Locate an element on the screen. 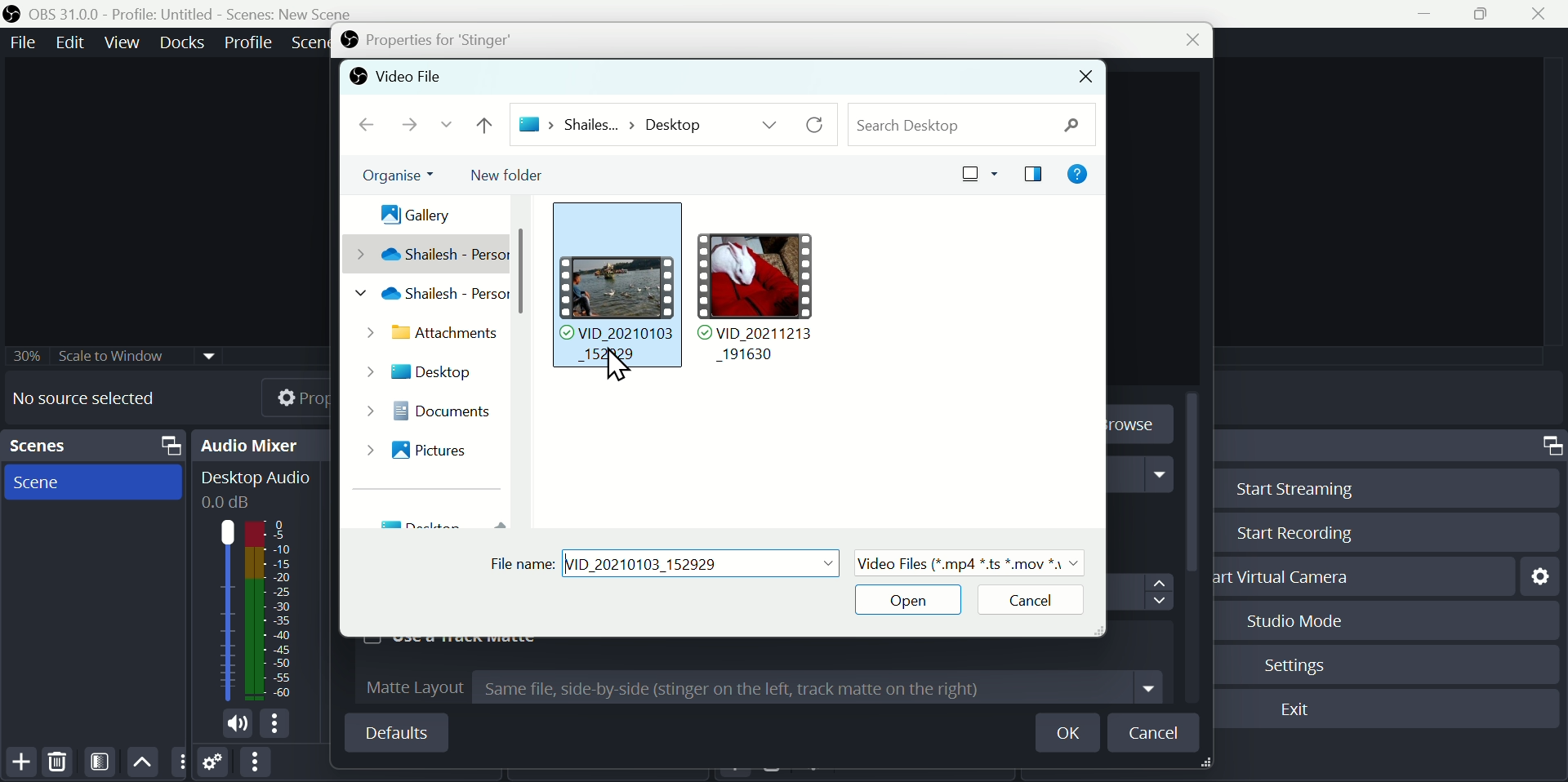 The image size is (1568, 782). Start virtual camera is located at coordinates (1291, 576).